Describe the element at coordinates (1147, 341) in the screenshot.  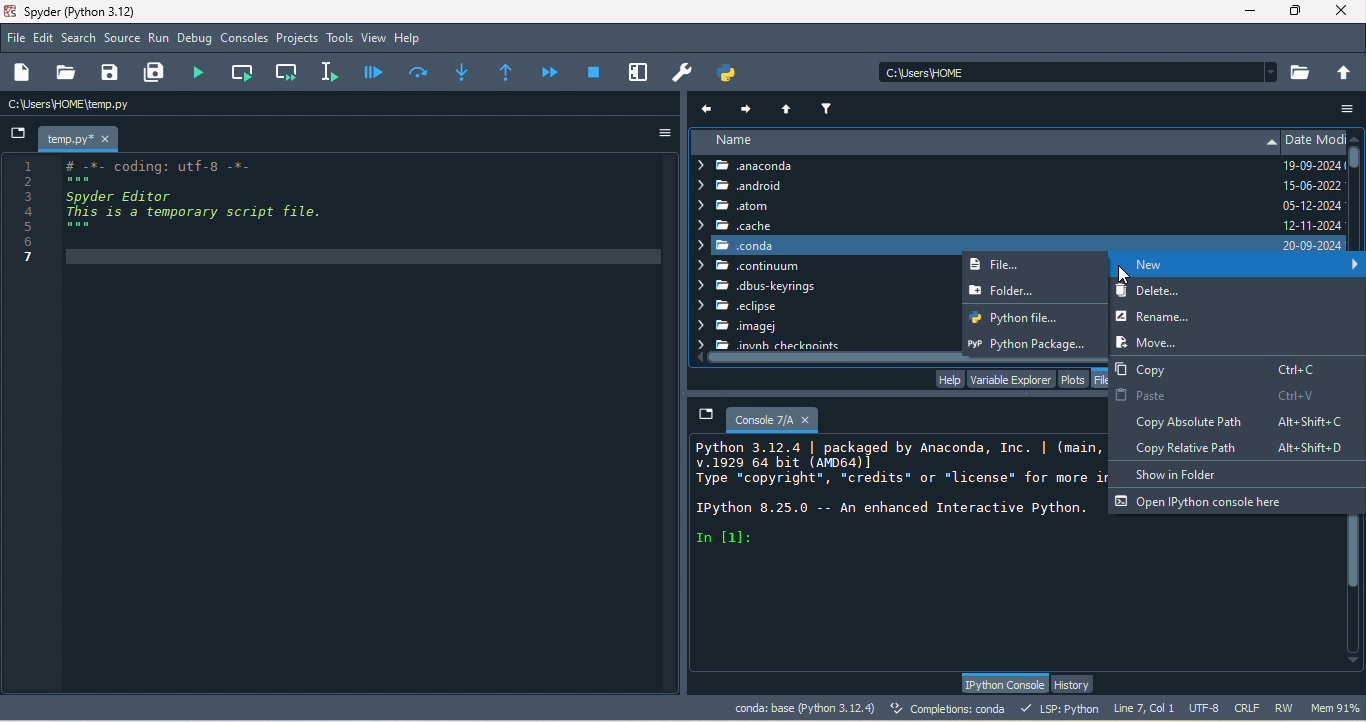
I see `move` at that location.